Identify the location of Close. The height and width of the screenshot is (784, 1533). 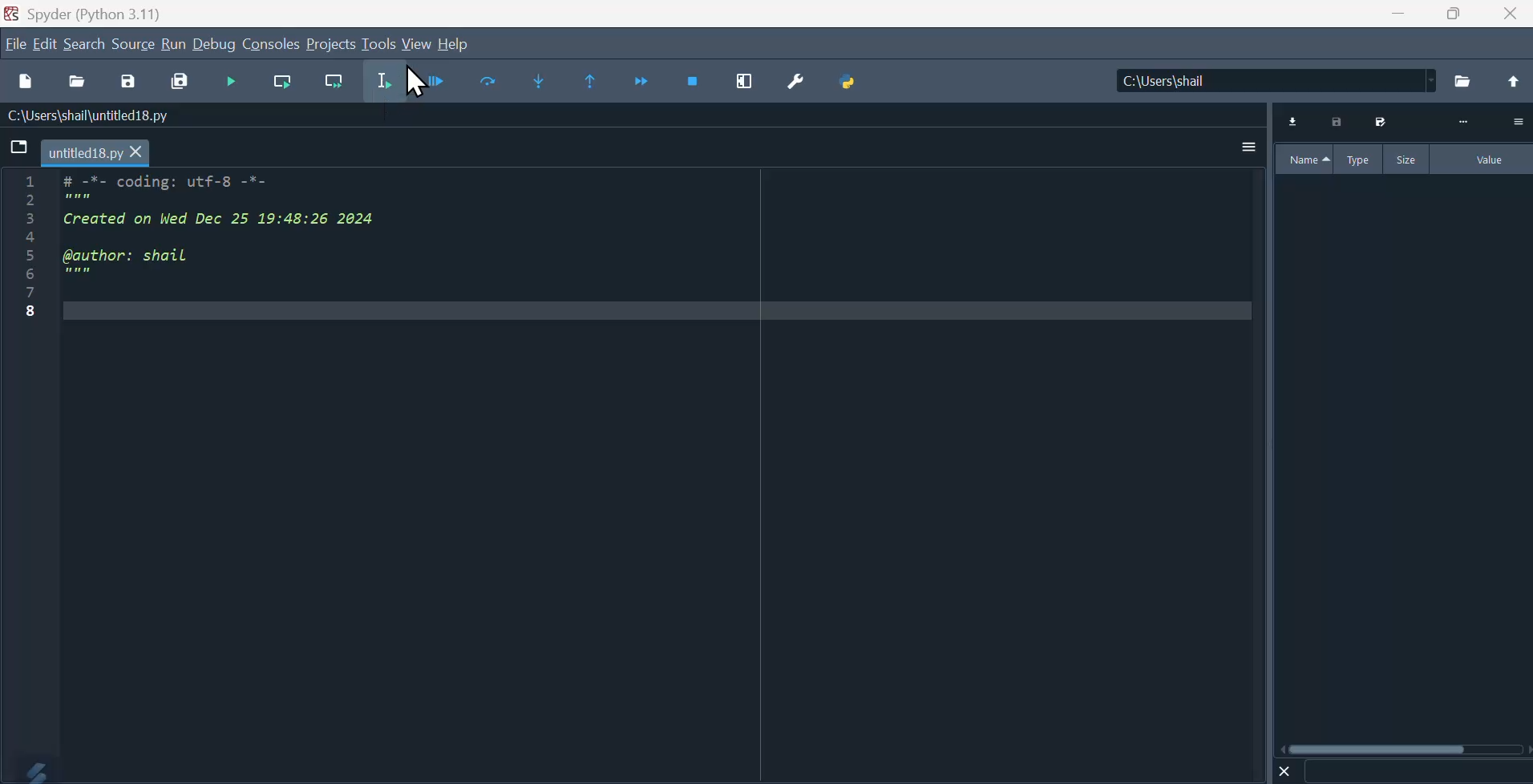
(1512, 14).